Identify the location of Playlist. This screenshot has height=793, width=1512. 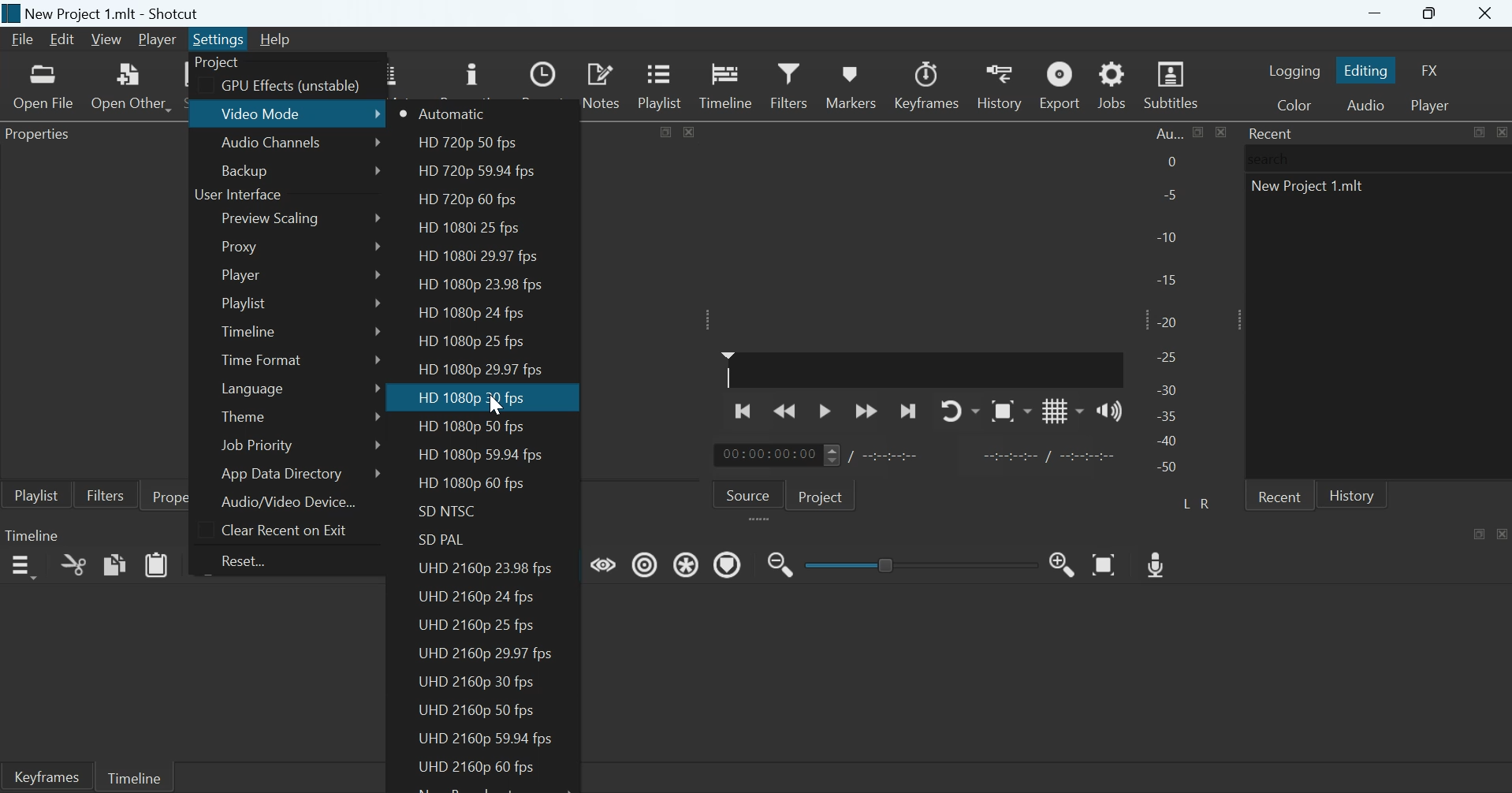
(663, 84).